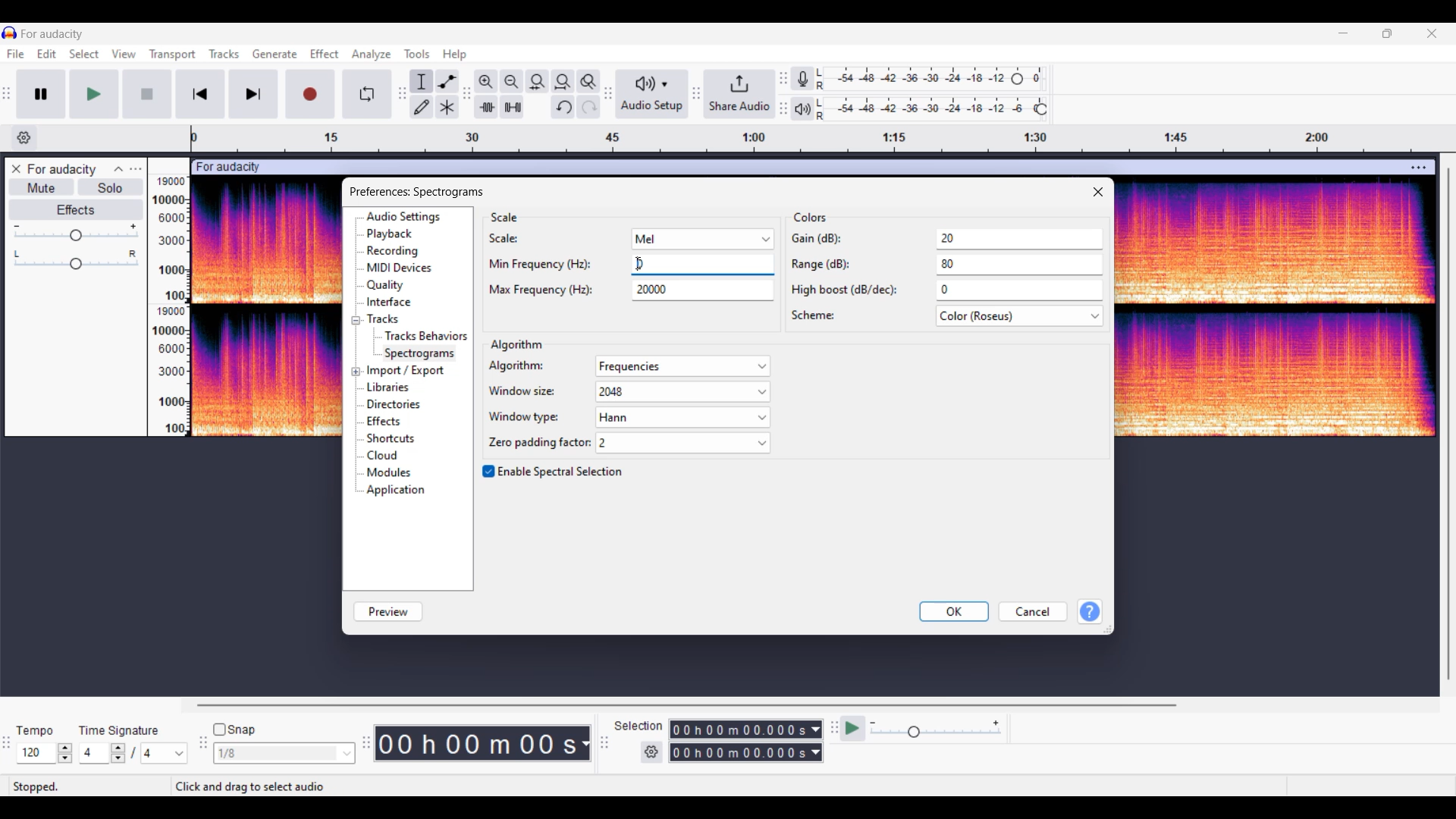  What do you see at coordinates (538, 82) in the screenshot?
I see `Fit selection to width` at bounding box center [538, 82].